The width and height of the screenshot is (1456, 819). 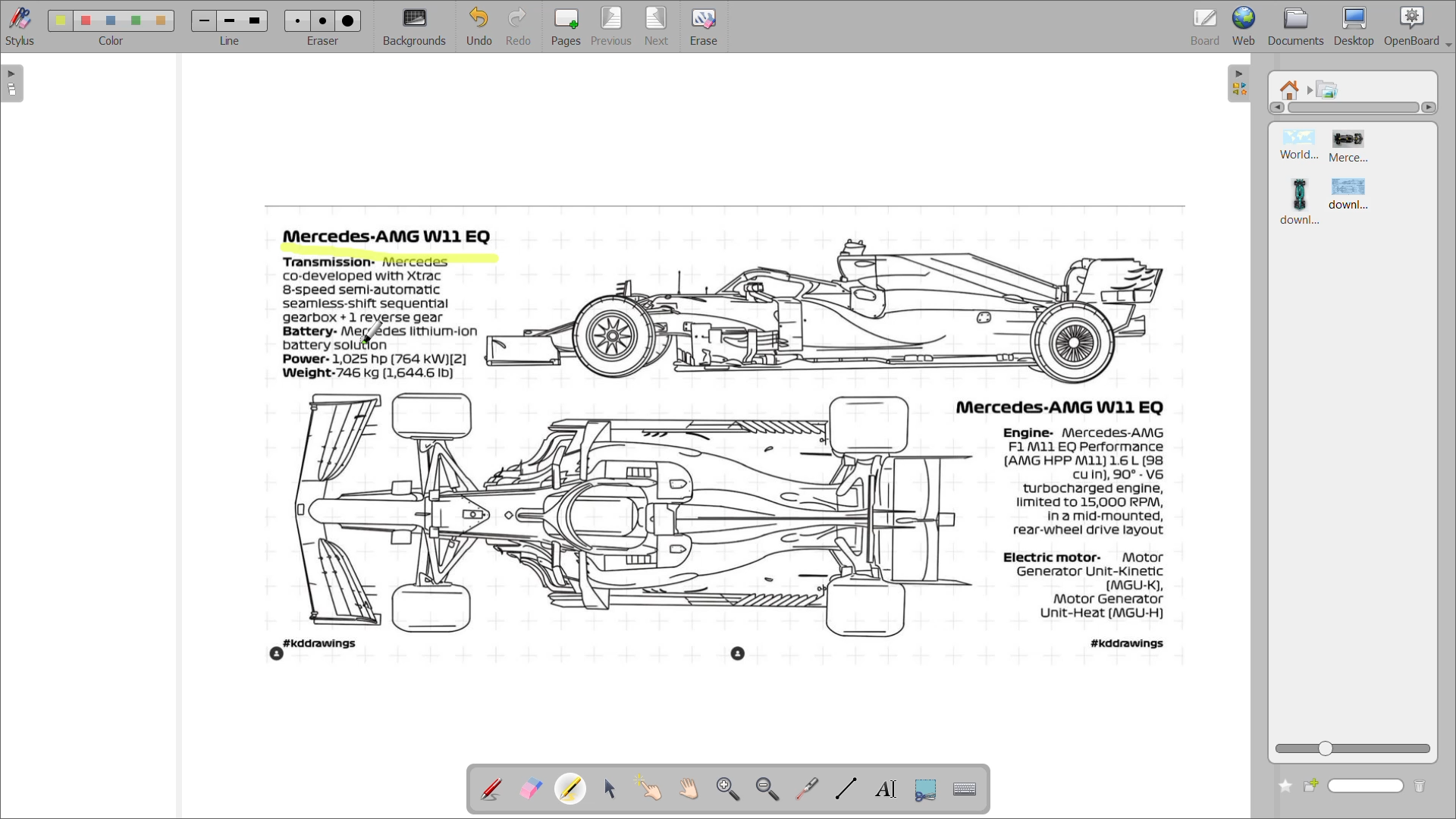 What do you see at coordinates (1313, 786) in the screenshot?
I see `create new folder` at bounding box center [1313, 786].